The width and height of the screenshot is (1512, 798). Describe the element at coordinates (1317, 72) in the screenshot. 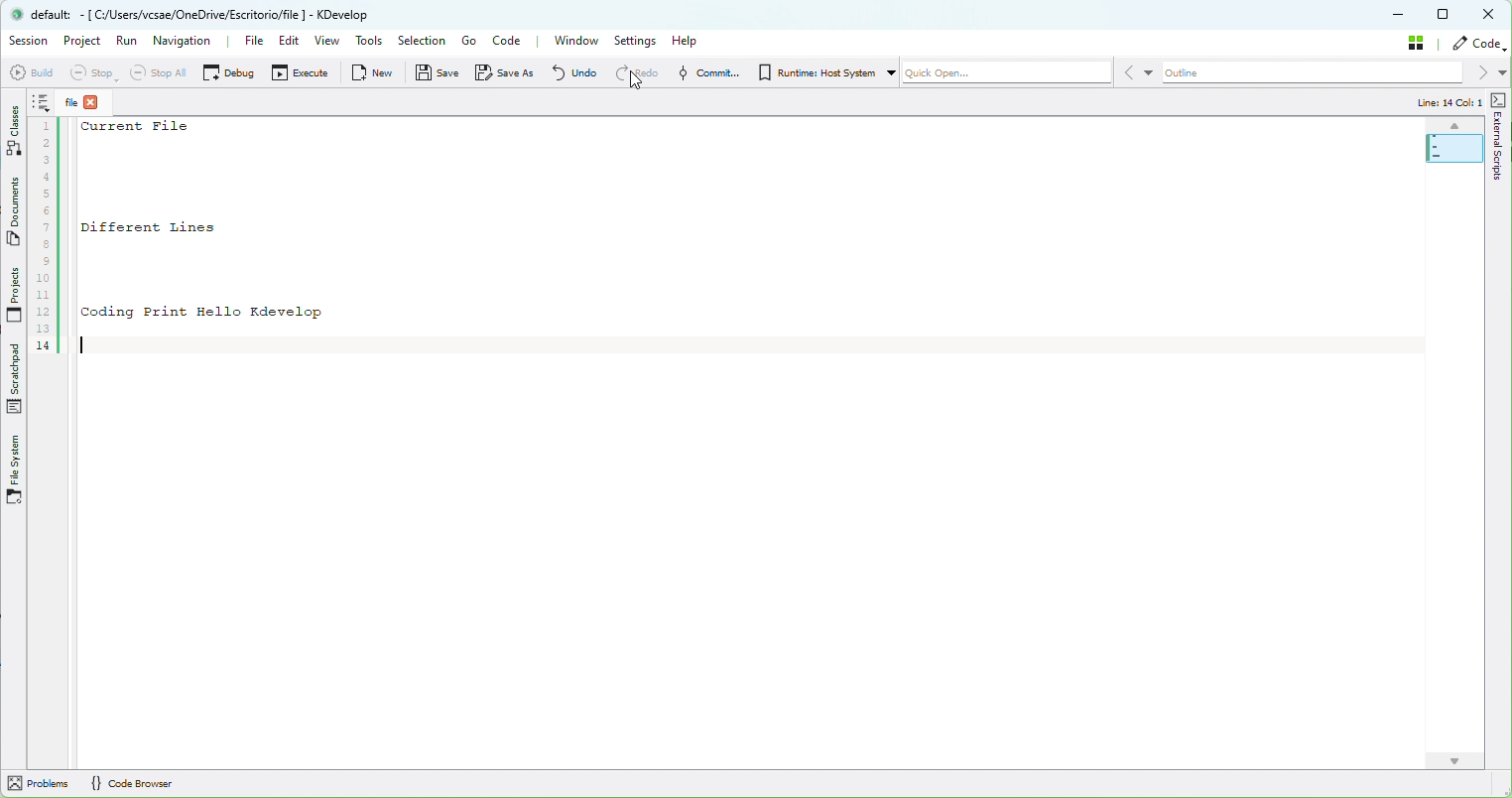

I see `Outline` at that location.